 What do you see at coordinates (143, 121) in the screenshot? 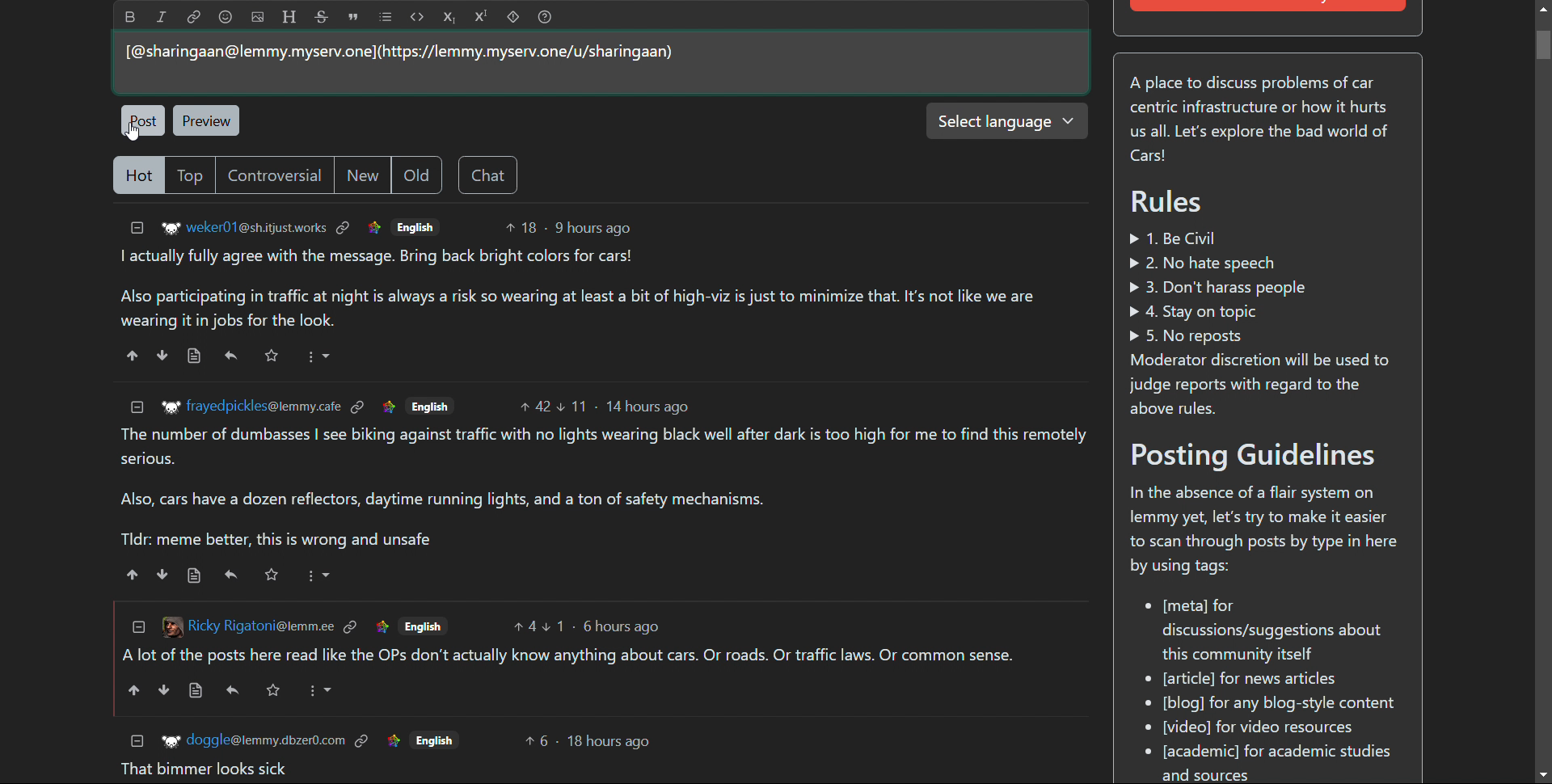
I see `post` at bounding box center [143, 121].